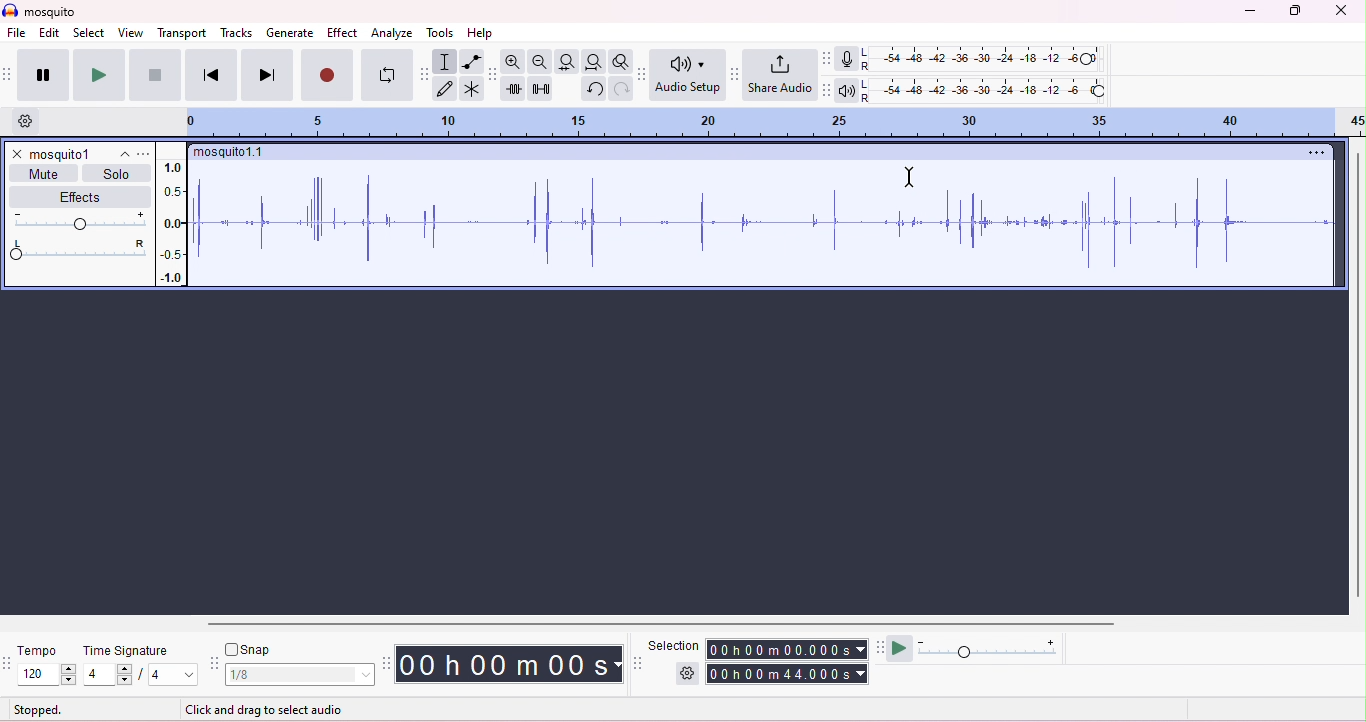 This screenshot has height=722, width=1366. I want to click on recording level, so click(986, 59).